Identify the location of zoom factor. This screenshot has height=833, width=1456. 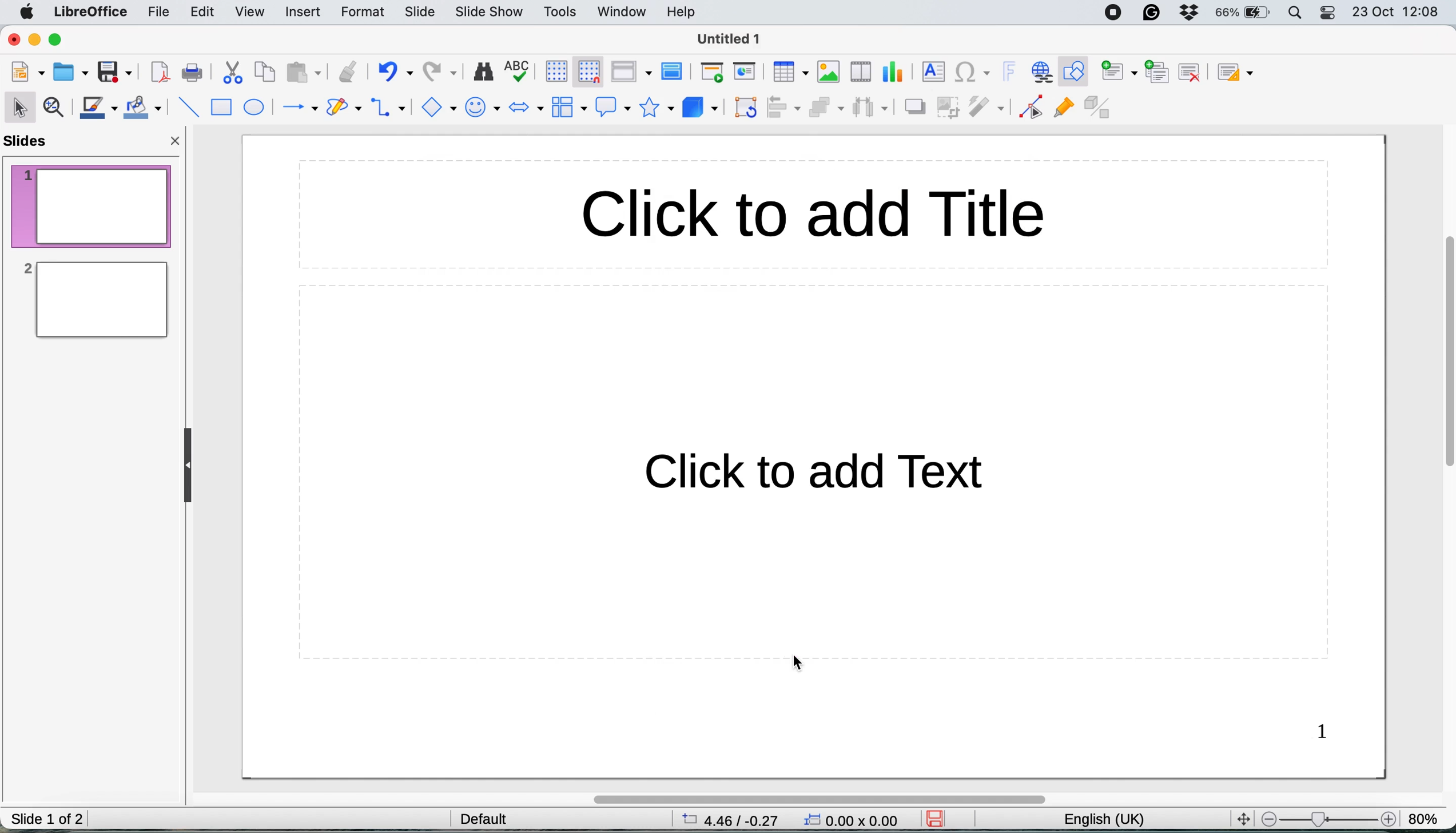
(1327, 819).